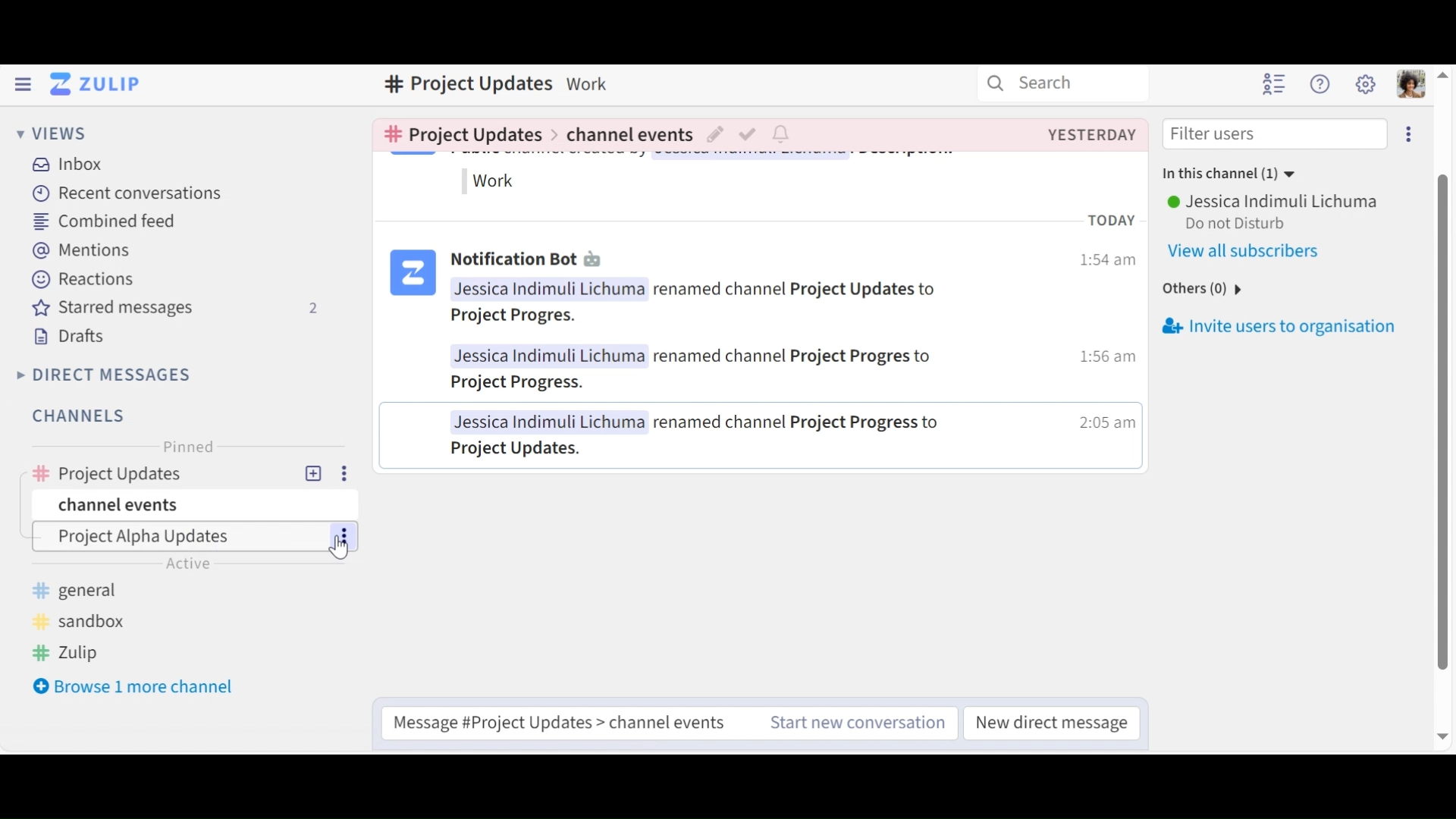 This screenshot has width=1456, height=819. Describe the element at coordinates (181, 474) in the screenshot. I see `Channel` at that location.